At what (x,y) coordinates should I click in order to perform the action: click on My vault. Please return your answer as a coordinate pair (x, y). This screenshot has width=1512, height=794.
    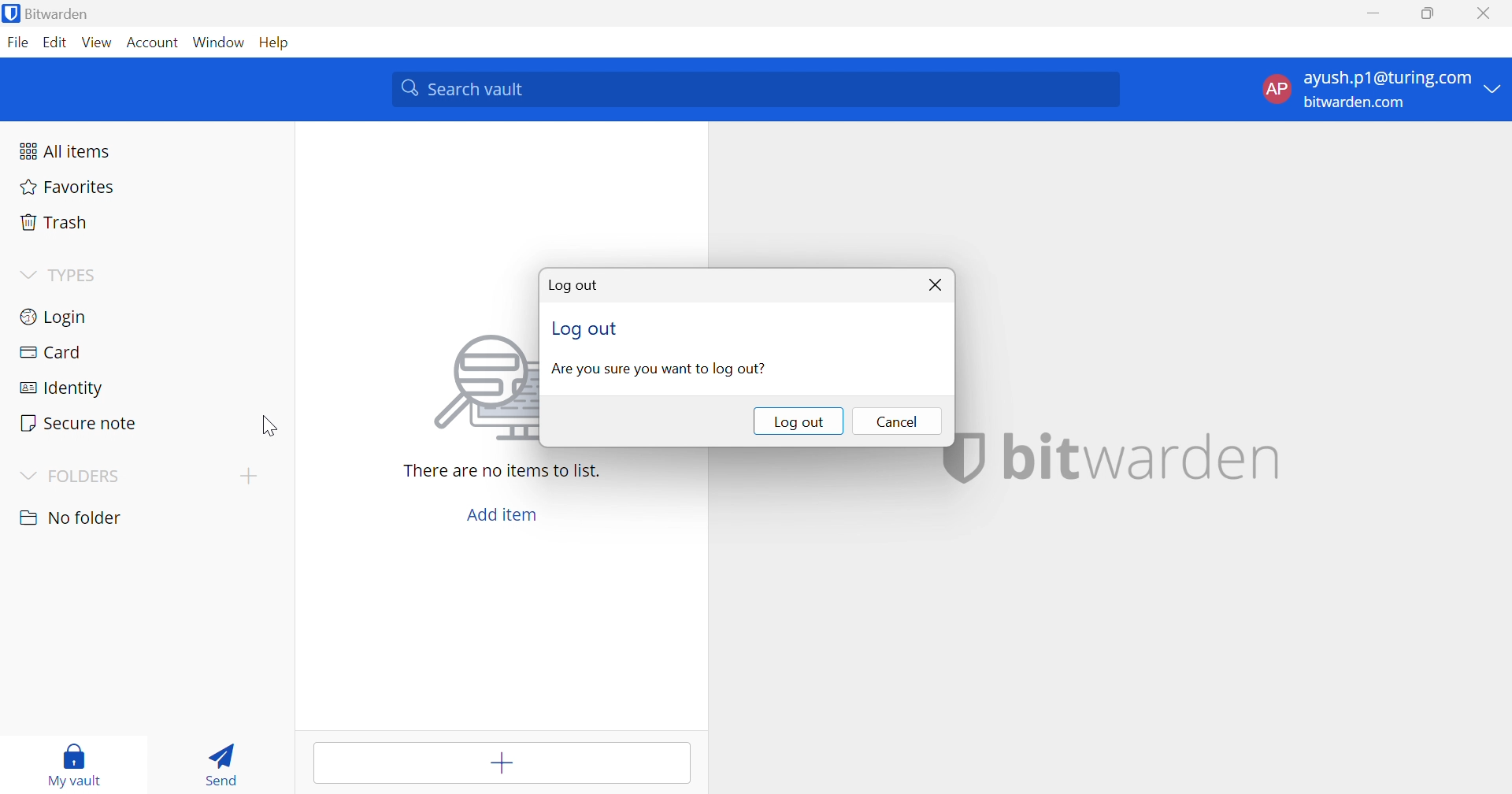
    Looking at the image, I should click on (76, 761).